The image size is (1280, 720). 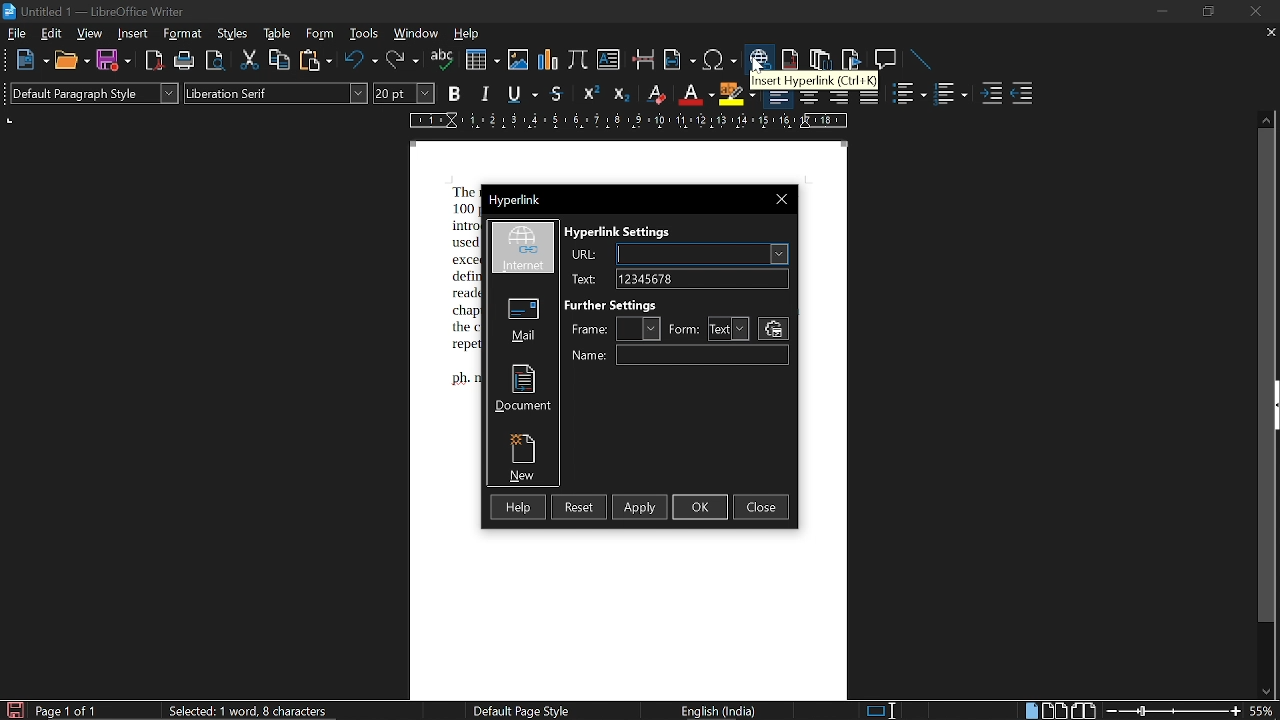 What do you see at coordinates (1270, 33) in the screenshot?
I see `close current tab` at bounding box center [1270, 33].